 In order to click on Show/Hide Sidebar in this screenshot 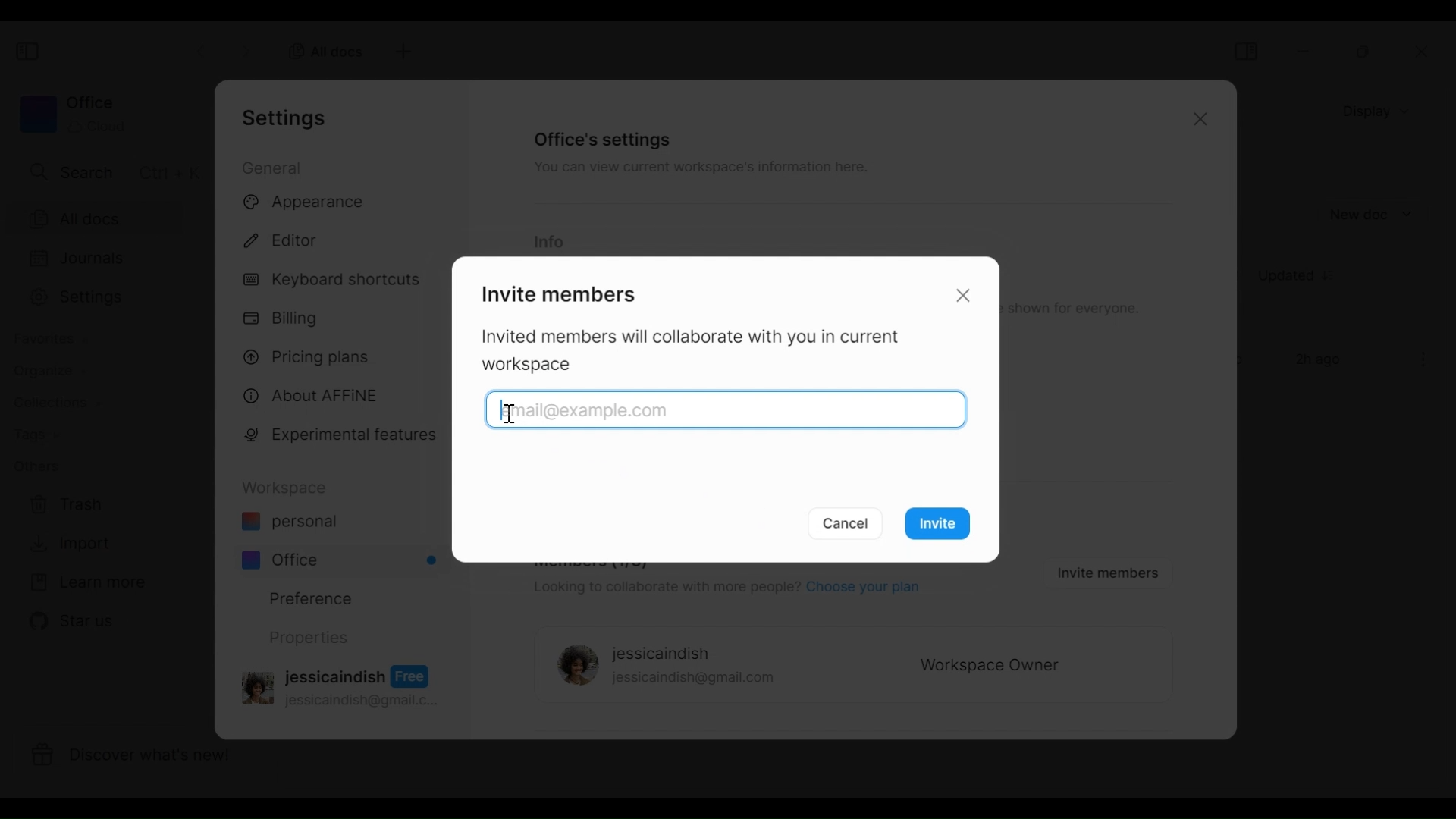, I will do `click(30, 52)`.